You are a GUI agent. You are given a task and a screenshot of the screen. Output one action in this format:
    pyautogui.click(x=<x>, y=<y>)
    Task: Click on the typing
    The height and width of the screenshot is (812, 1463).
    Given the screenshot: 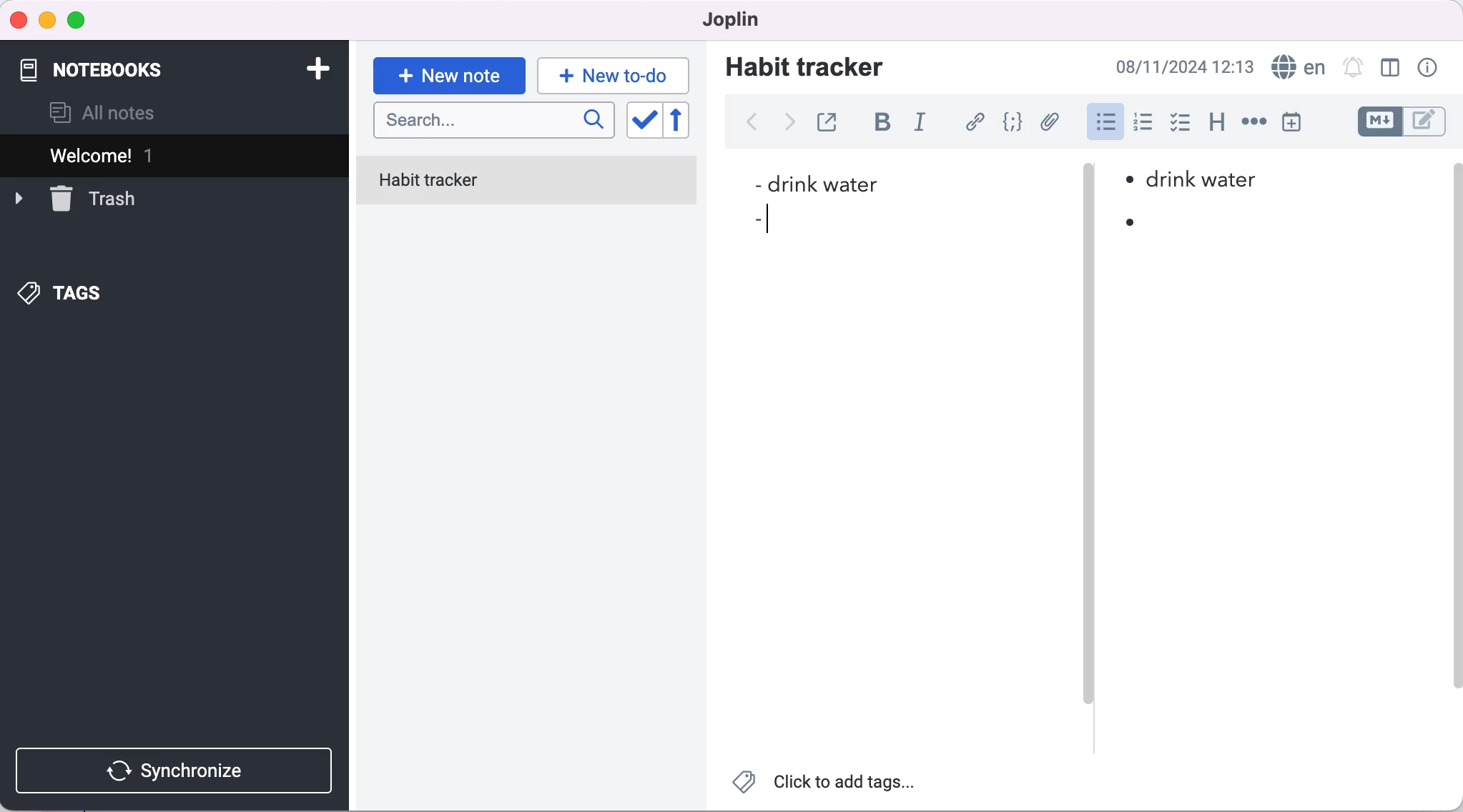 What is the action you would take?
    pyautogui.click(x=614, y=75)
    